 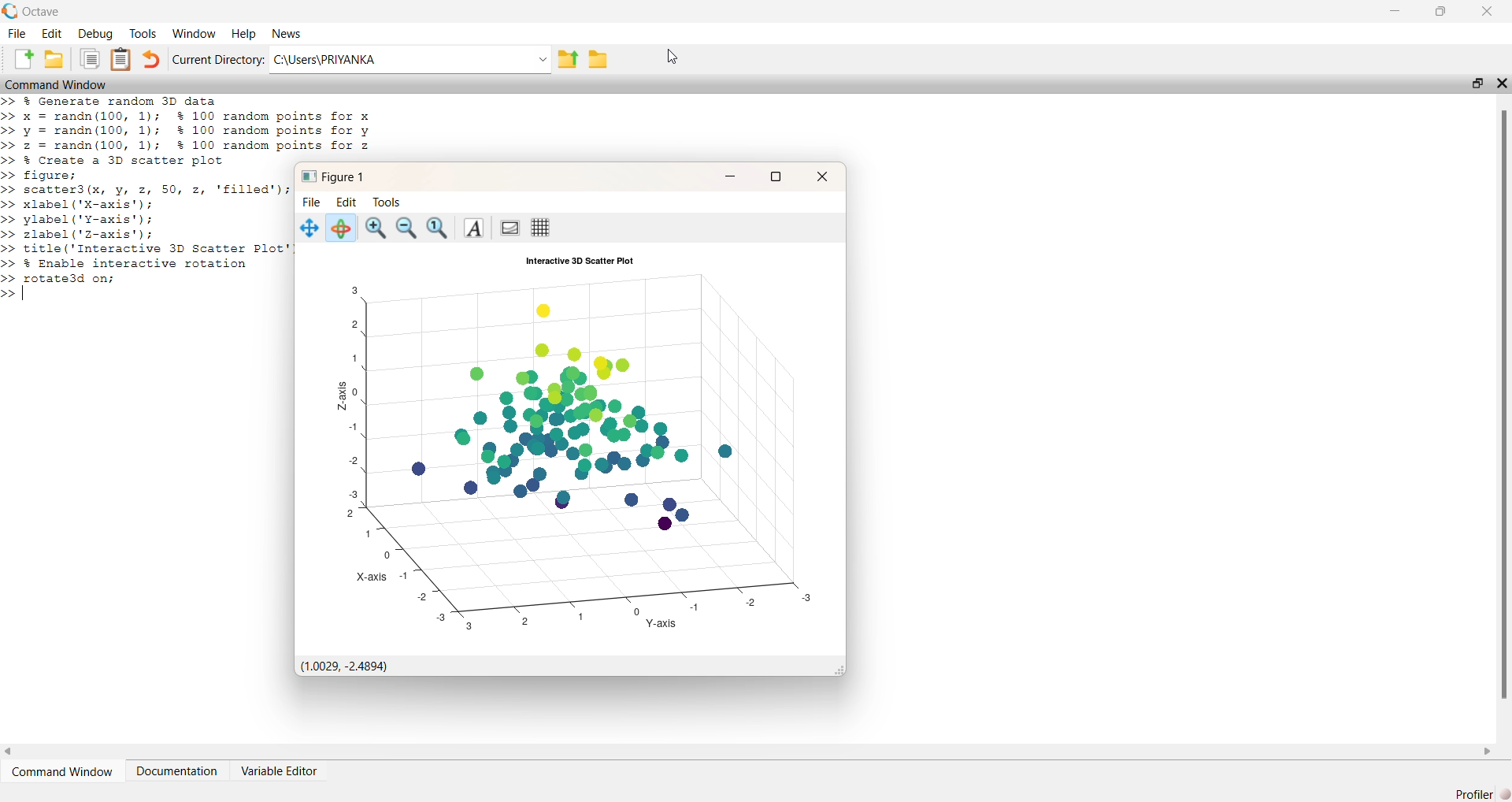 What do you see at coordinates (9, 752) in the screenshot?
I see `scroll left` at bounding box center [9, 752].